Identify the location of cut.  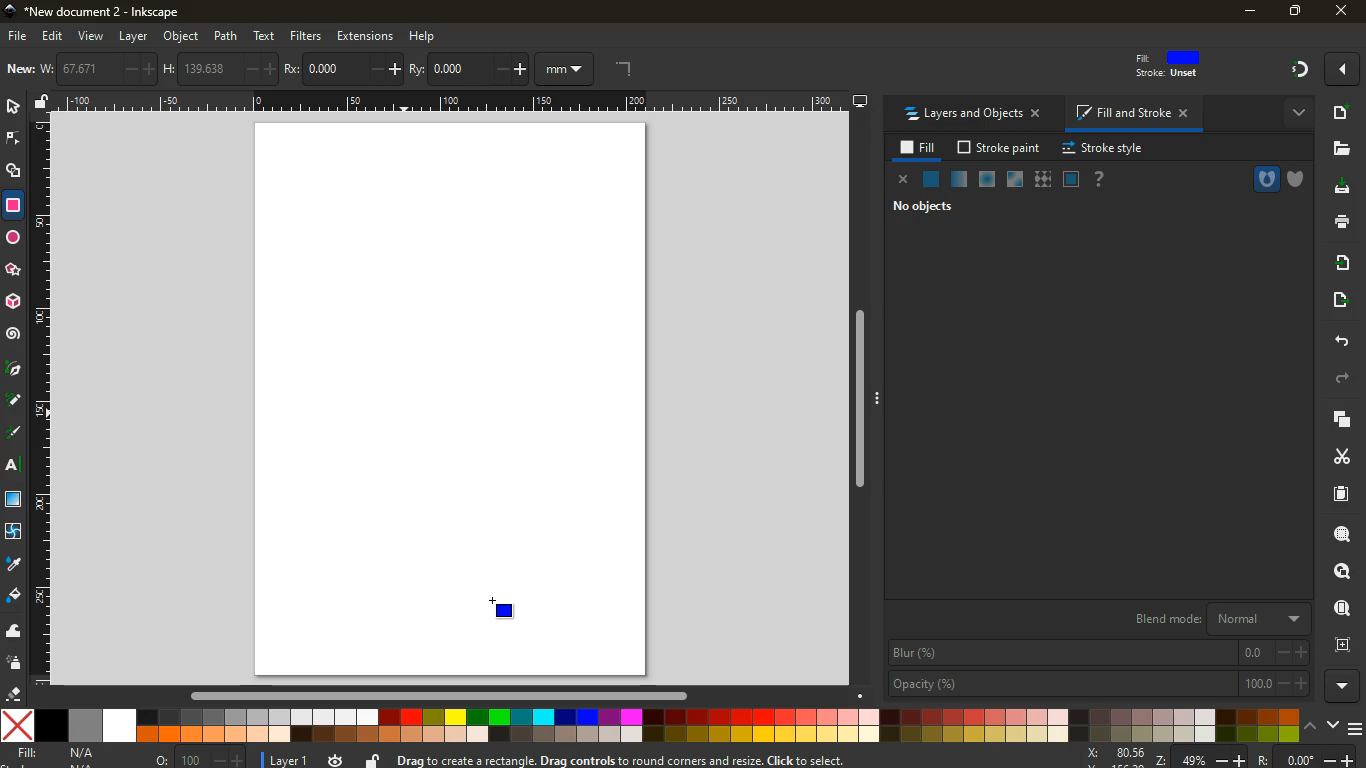
(1337, 456).